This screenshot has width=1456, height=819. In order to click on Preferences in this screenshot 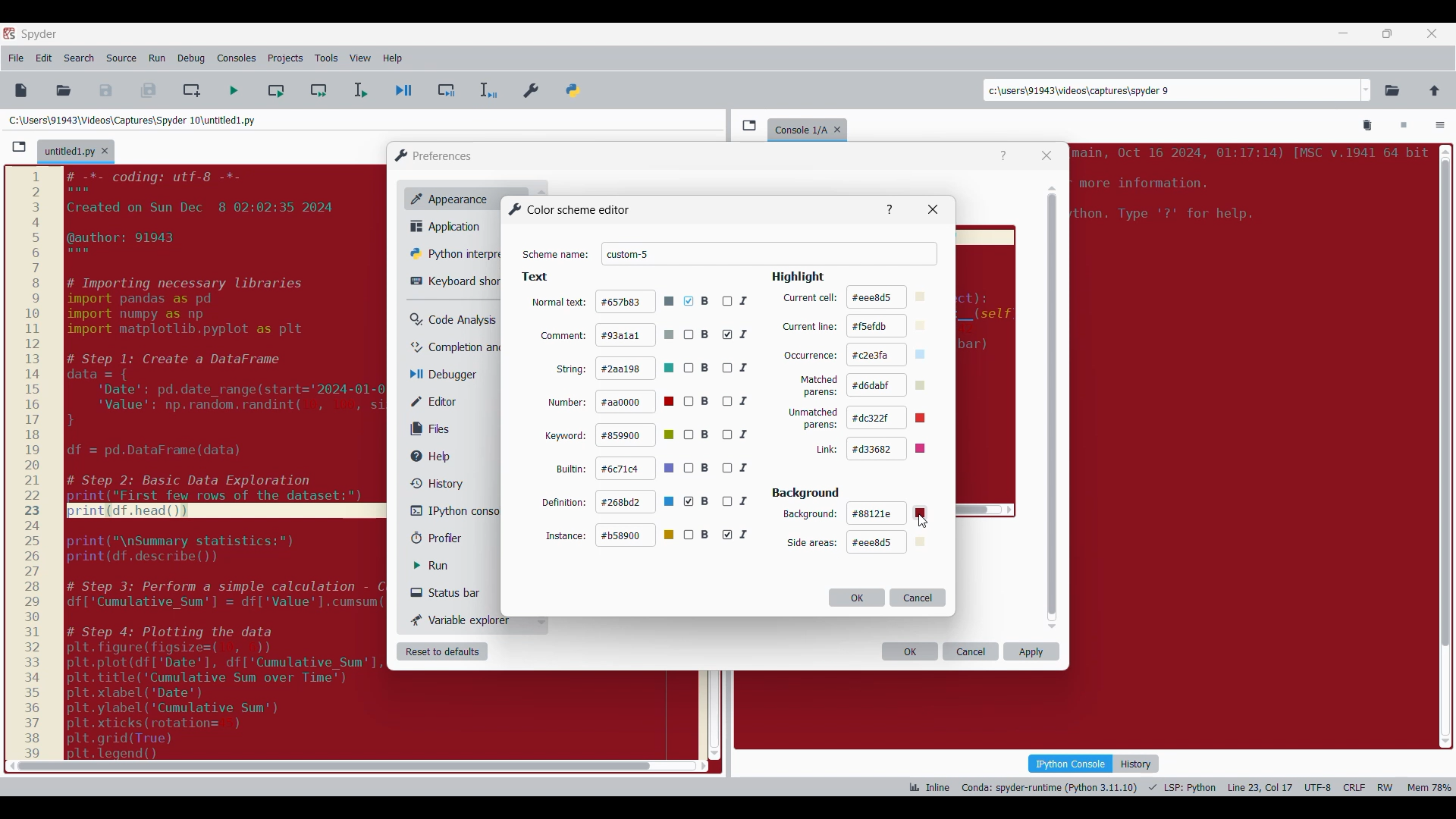, I will do `click(532, 87)`.